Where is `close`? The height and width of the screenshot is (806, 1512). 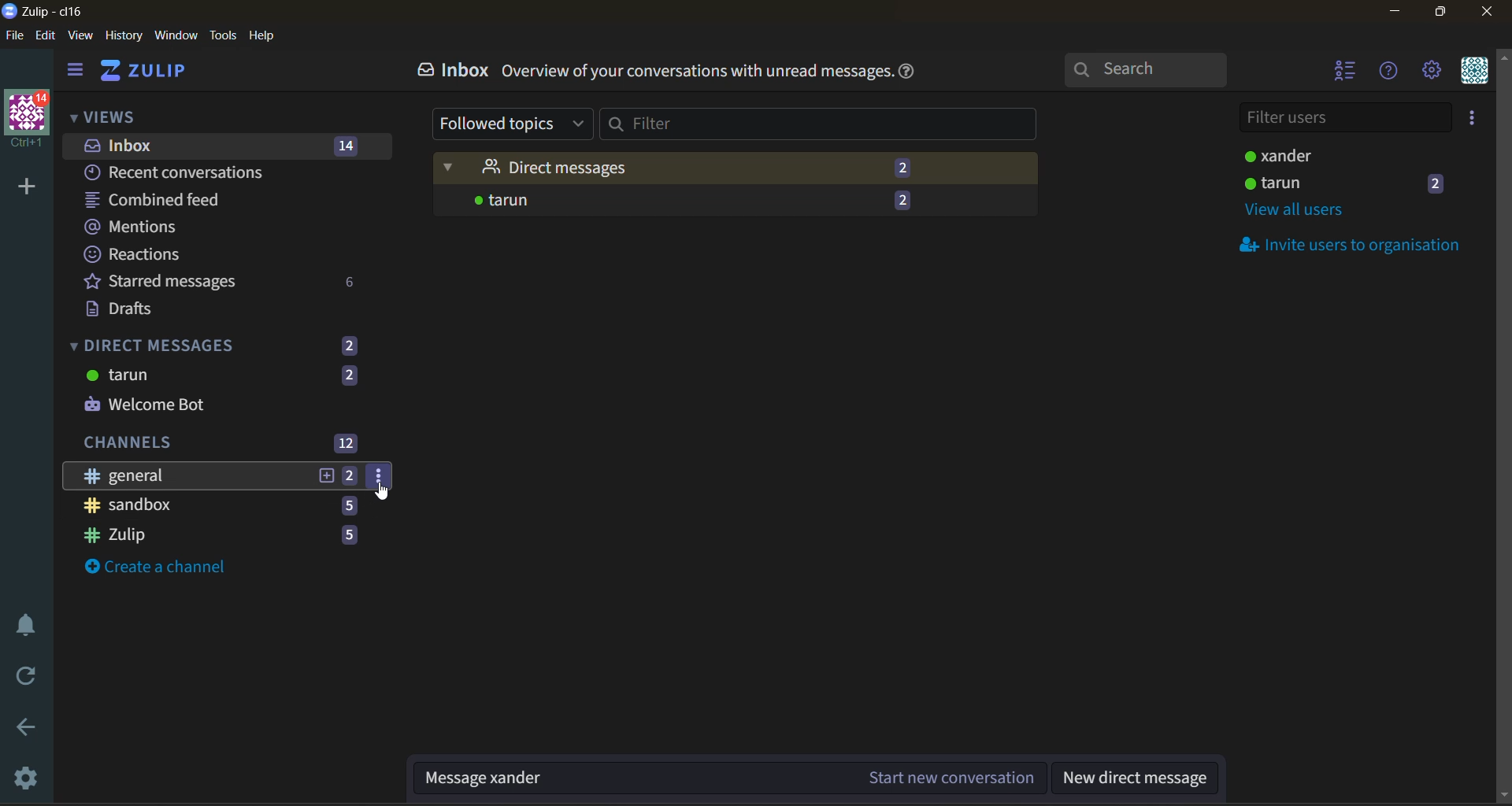
close is located at coordinates (1490, 14).